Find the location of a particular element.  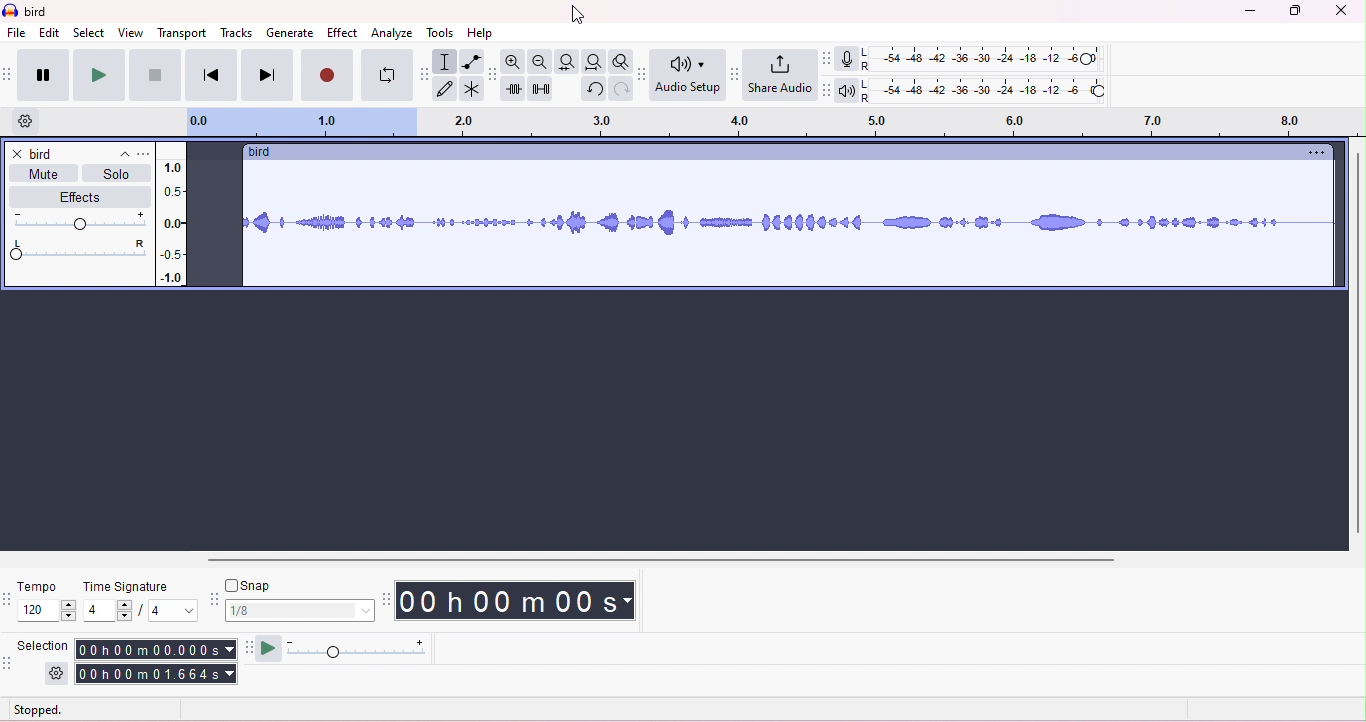

edit is located at coordinates (50, 33).